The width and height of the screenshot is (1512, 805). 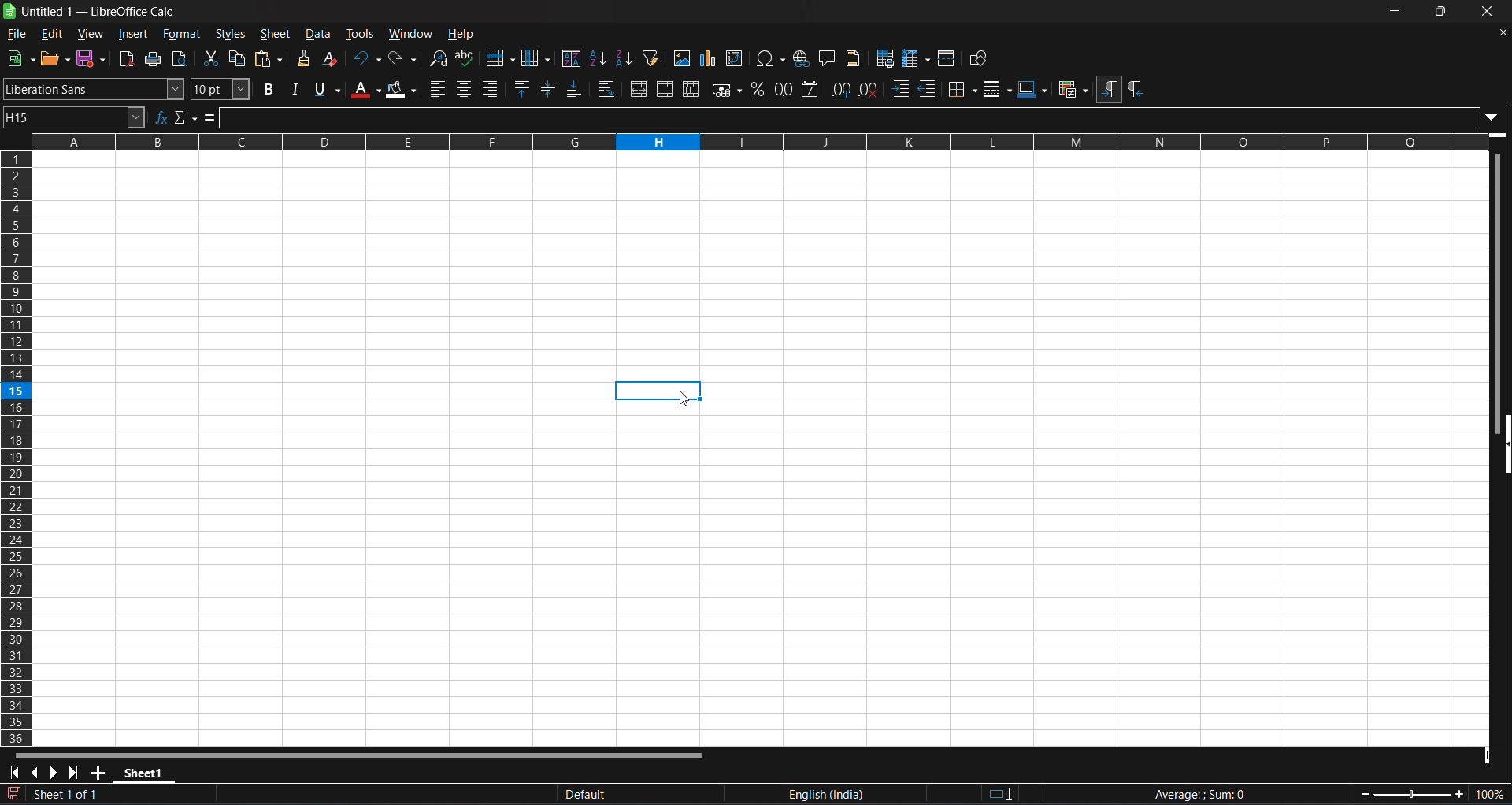 I want to click on headers and footers, so click(x=854, y=59).